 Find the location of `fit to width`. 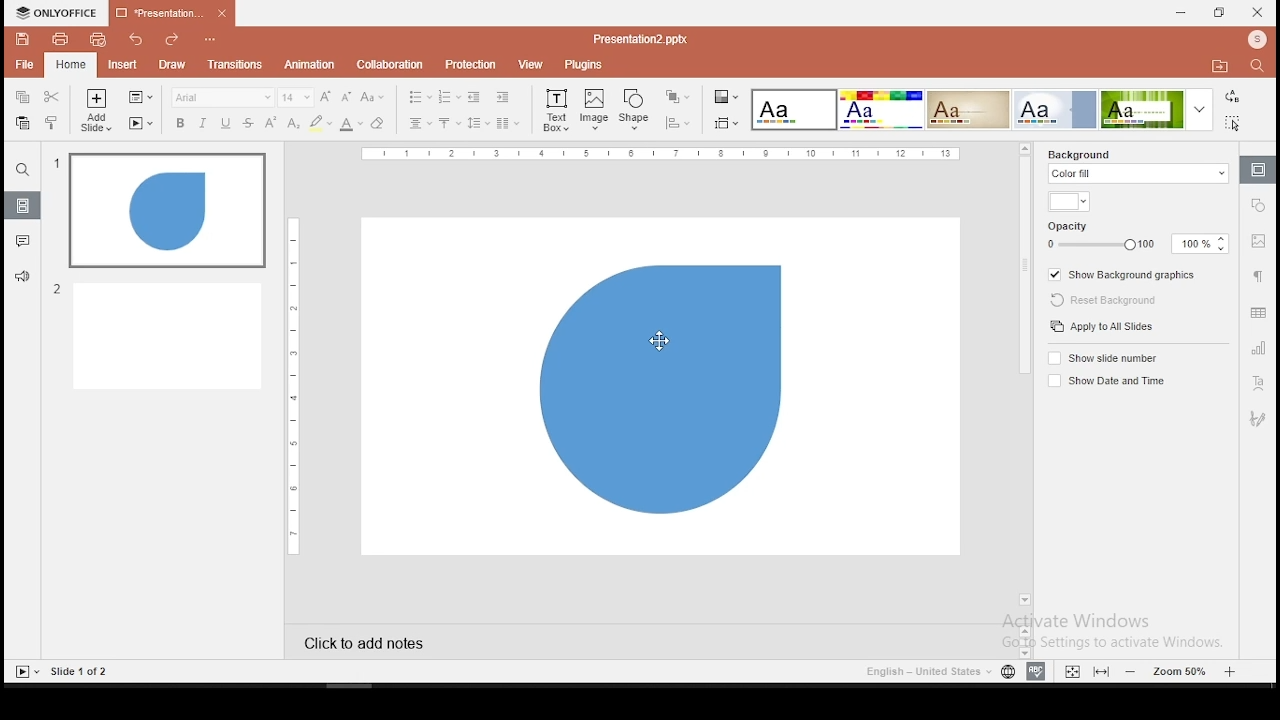

fit to width is located at coordinates (1069, 671).